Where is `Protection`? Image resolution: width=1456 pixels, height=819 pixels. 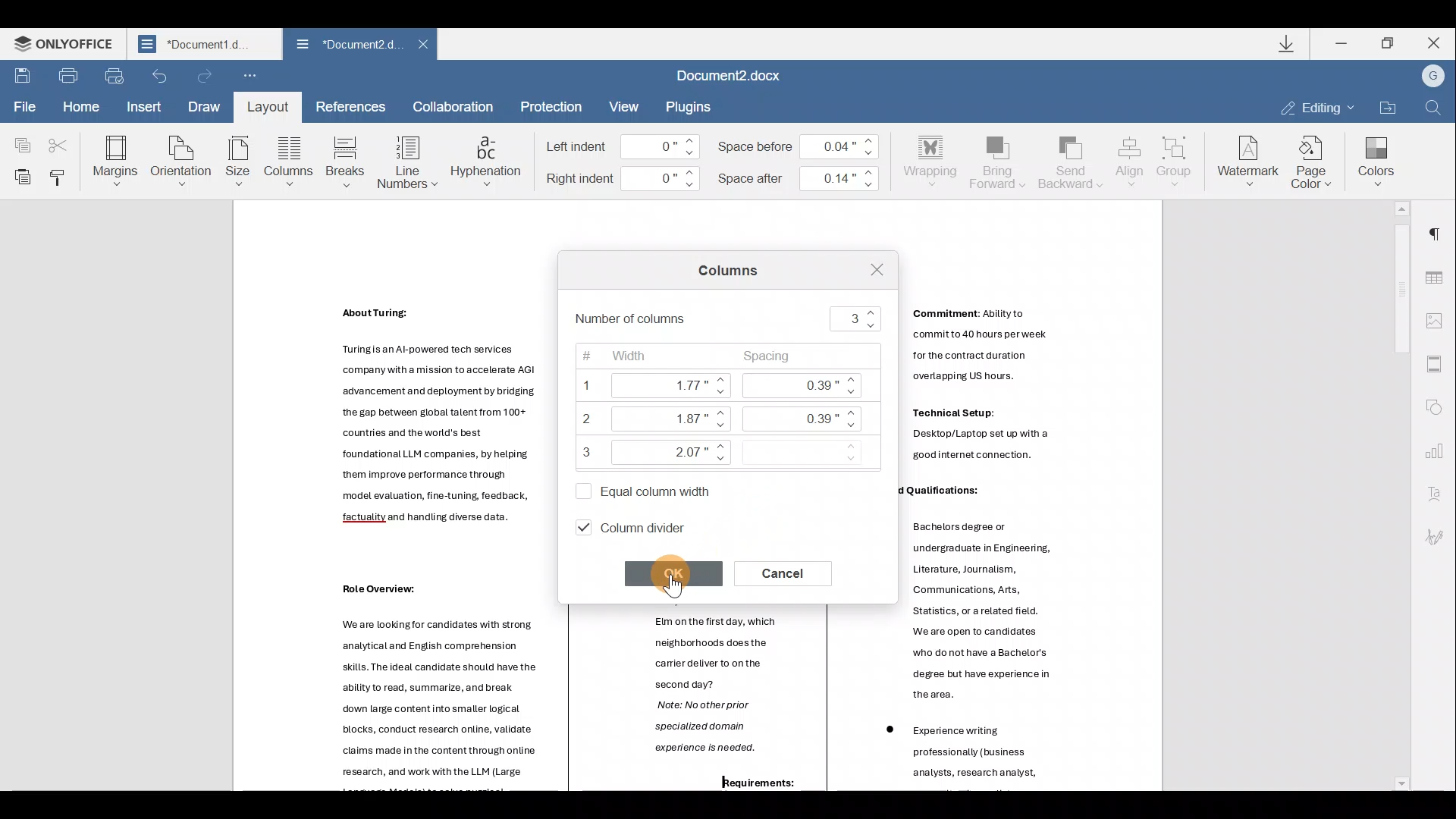
Protection is located at coordinates (550, 106).